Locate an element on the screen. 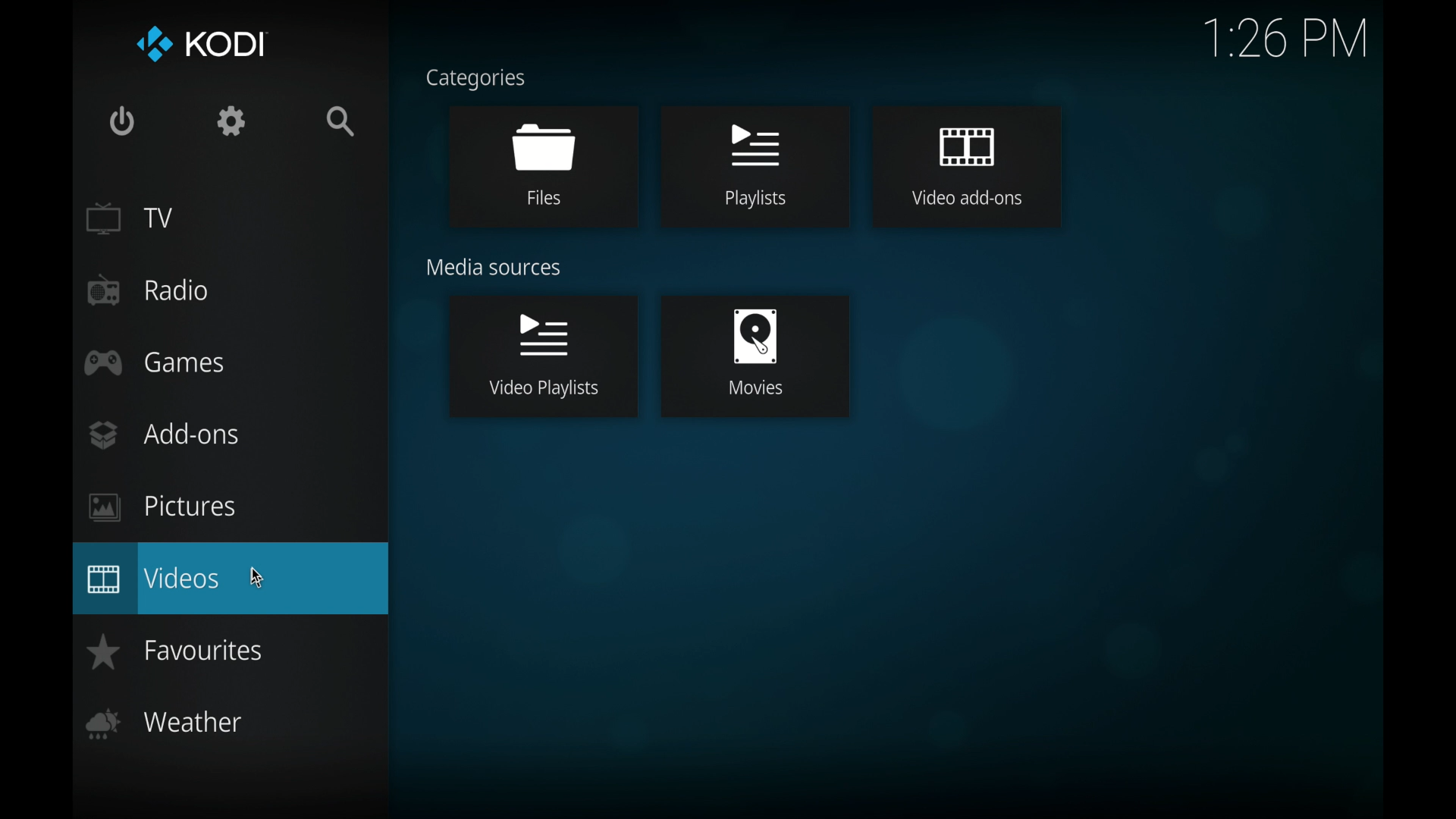  search is located at coordinates (343, 122).